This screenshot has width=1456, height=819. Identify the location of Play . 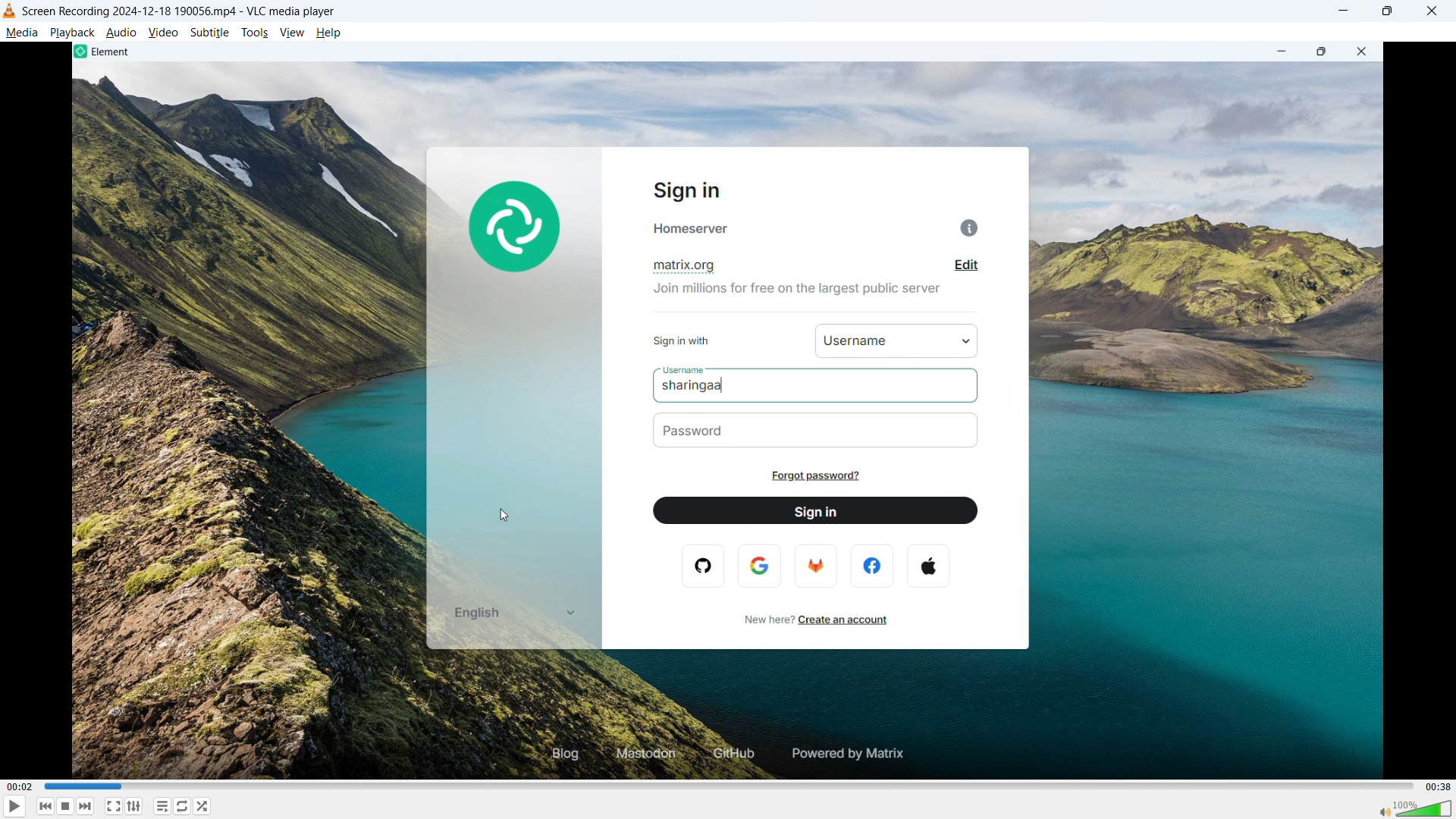
(14, 806).